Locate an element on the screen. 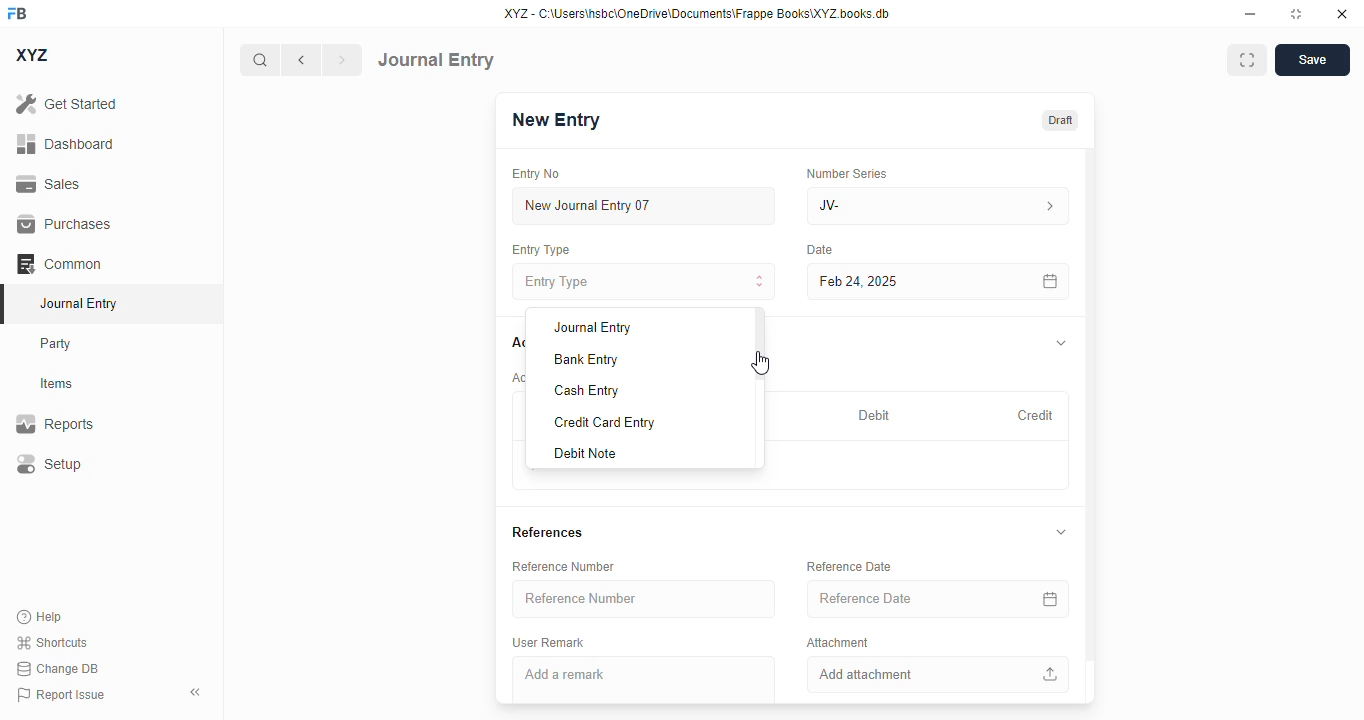  next is located at coordinates (343, 60).